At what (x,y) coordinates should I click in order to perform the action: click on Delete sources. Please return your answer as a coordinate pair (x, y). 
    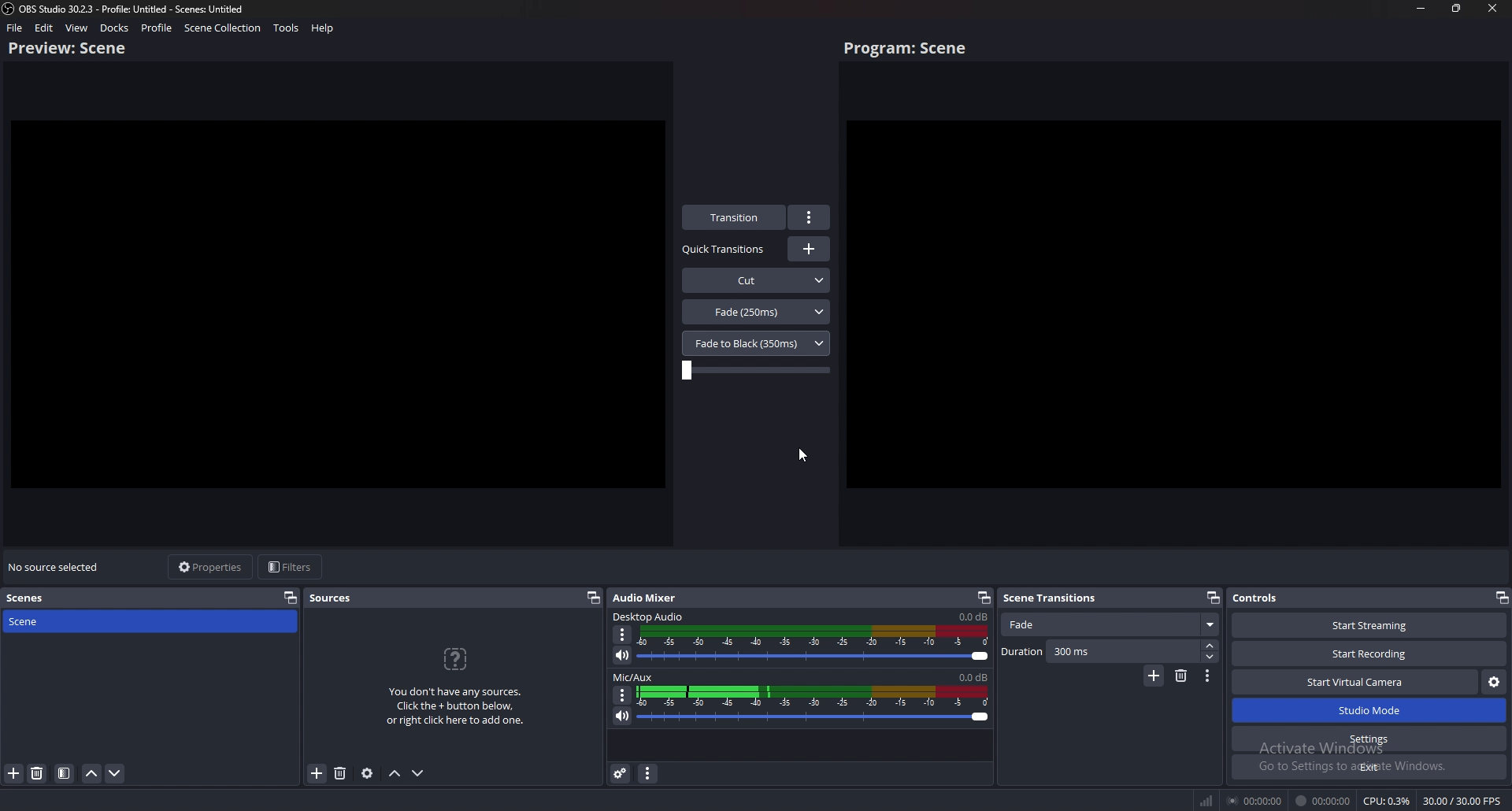
    Looking at the image, I should click on (339, 773).